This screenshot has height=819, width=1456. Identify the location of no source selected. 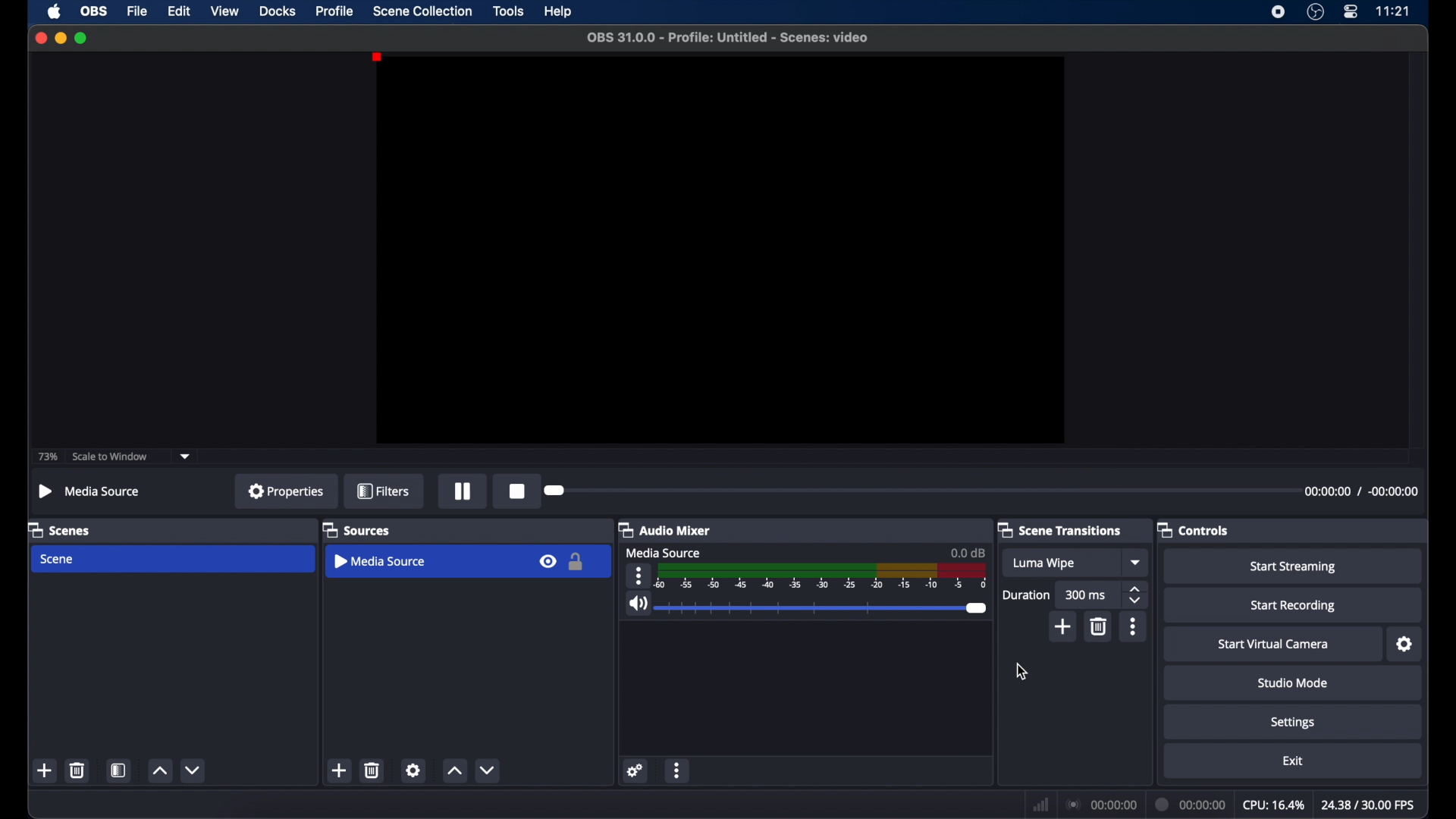
(89, 491).